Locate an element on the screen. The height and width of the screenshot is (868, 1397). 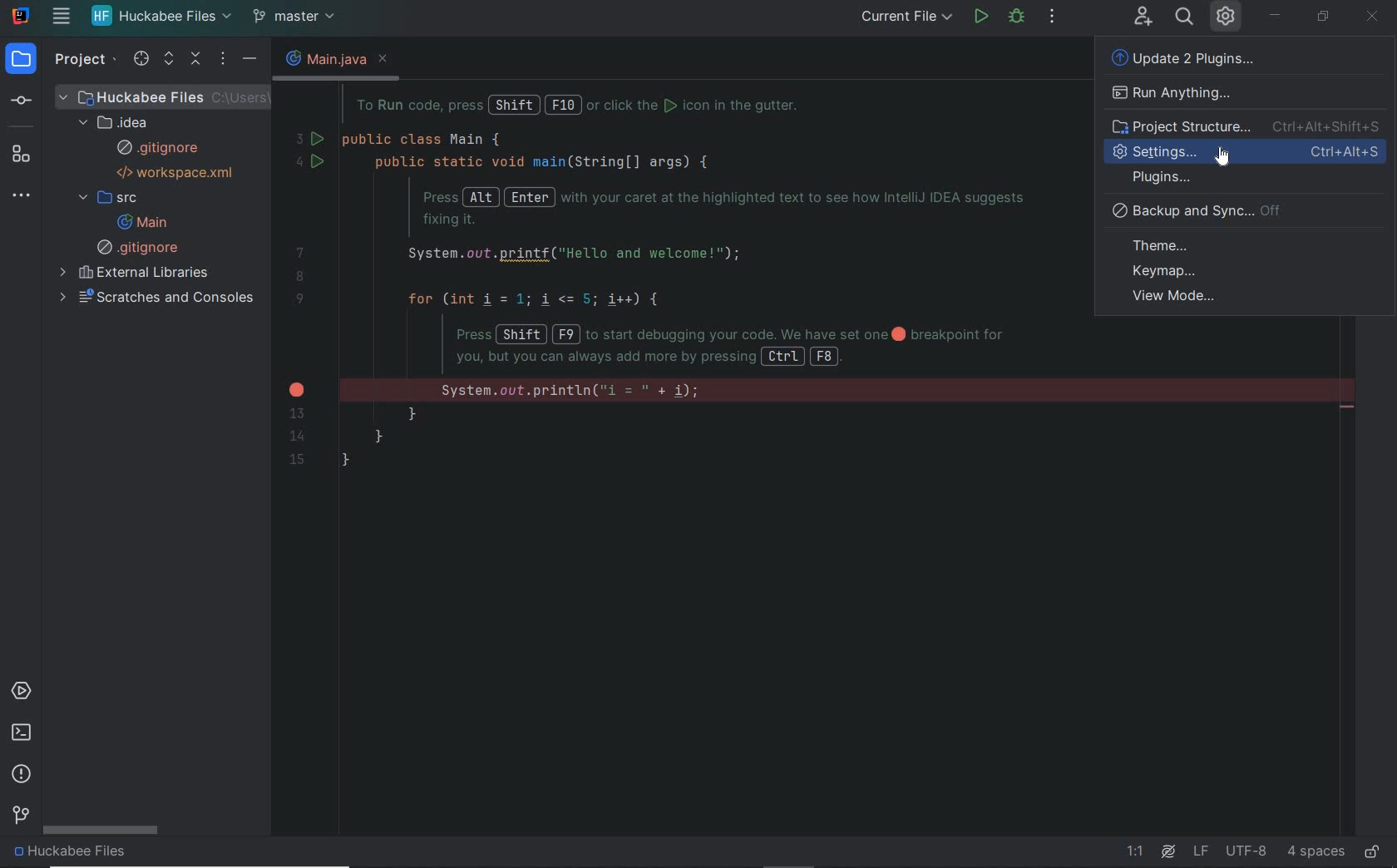
Git Branch: Master is located at coordinates (298, 17).